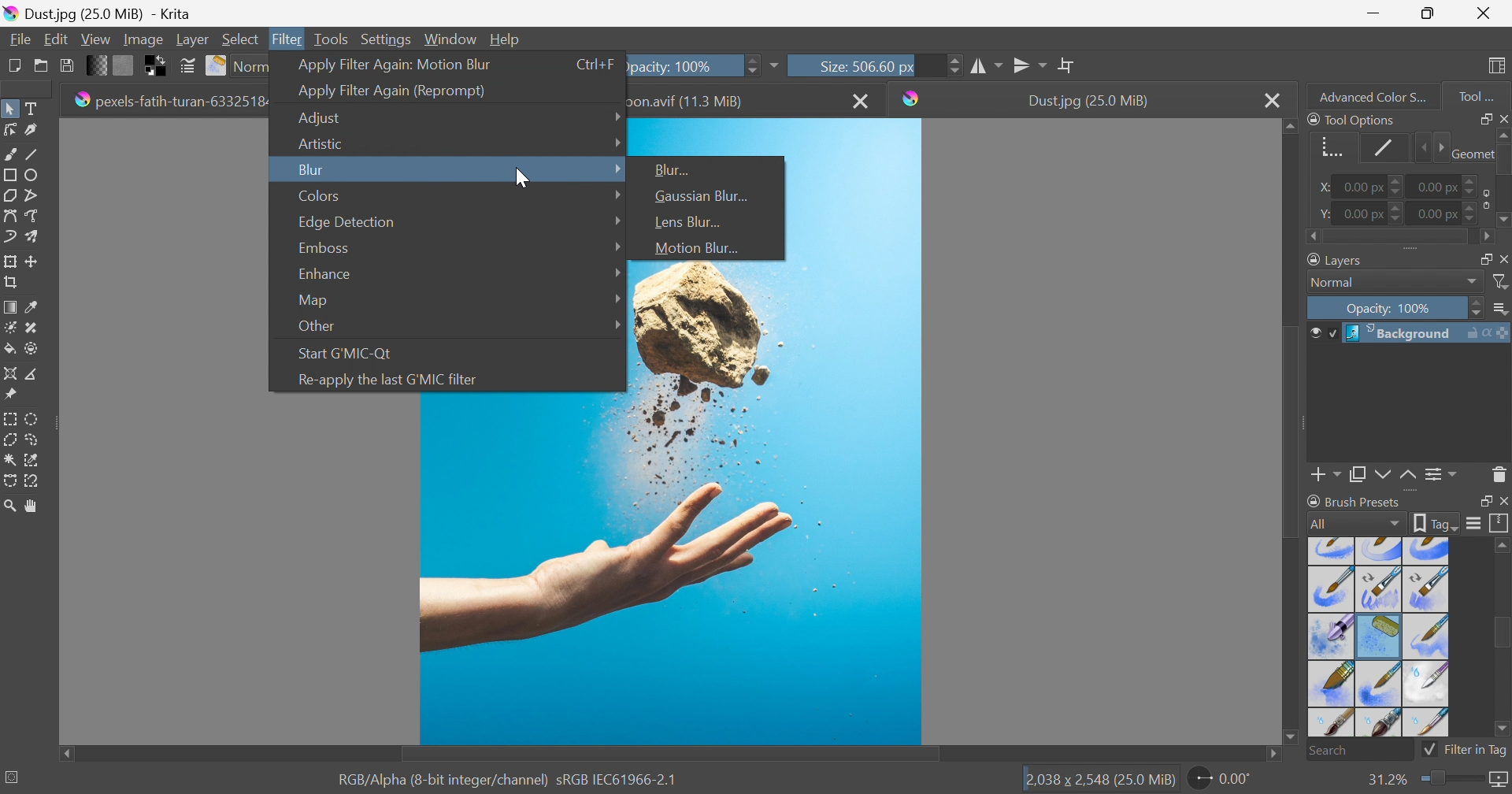 This screenshot has height=794, width=1512. Describe the element at coordinates (9, 393) in the screenshot. I see `Reference images tool` at that location.